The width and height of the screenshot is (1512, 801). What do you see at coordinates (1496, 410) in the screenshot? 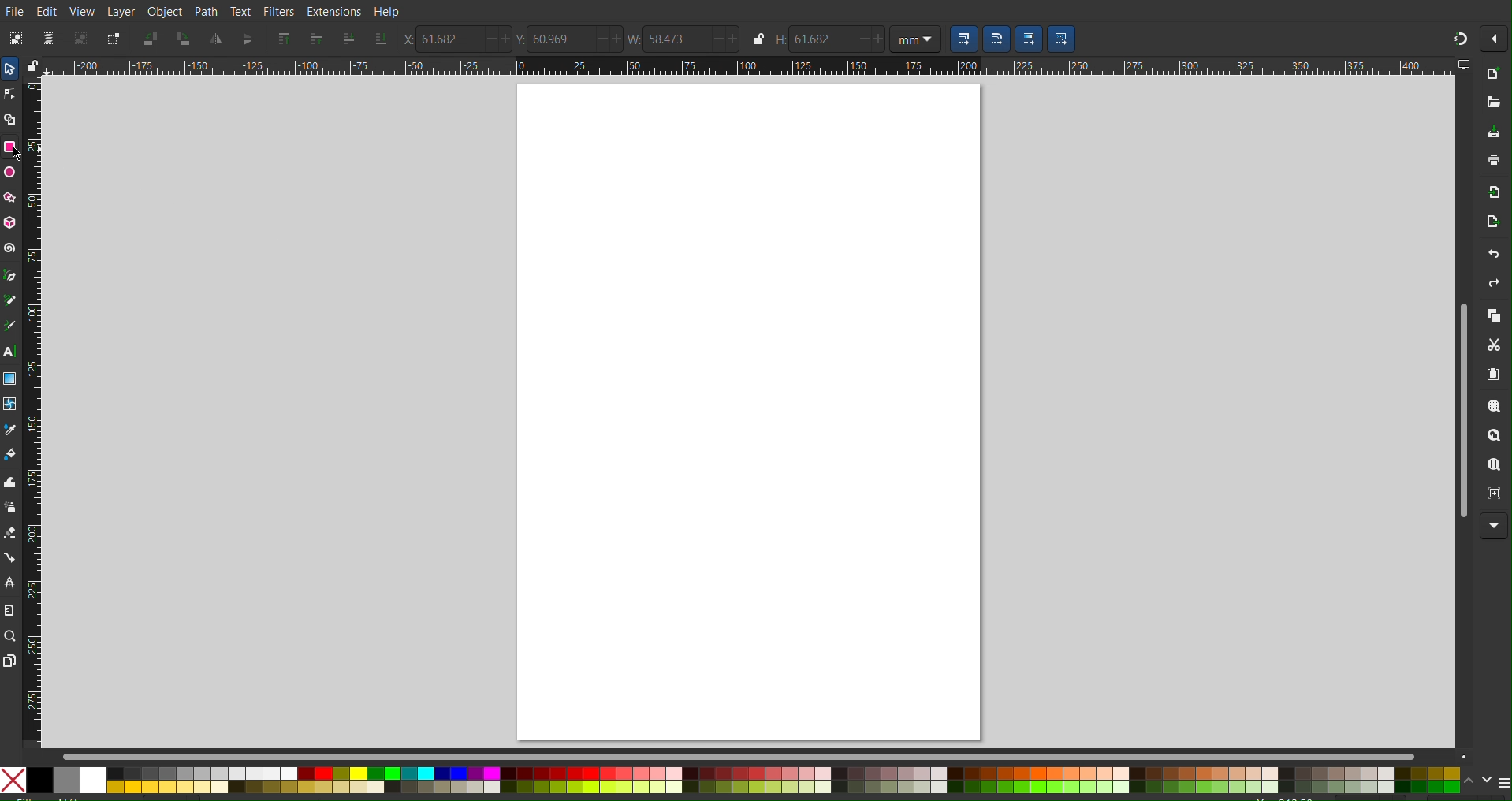
I see `Zoom Selection` at bounding box center [1496, 410].